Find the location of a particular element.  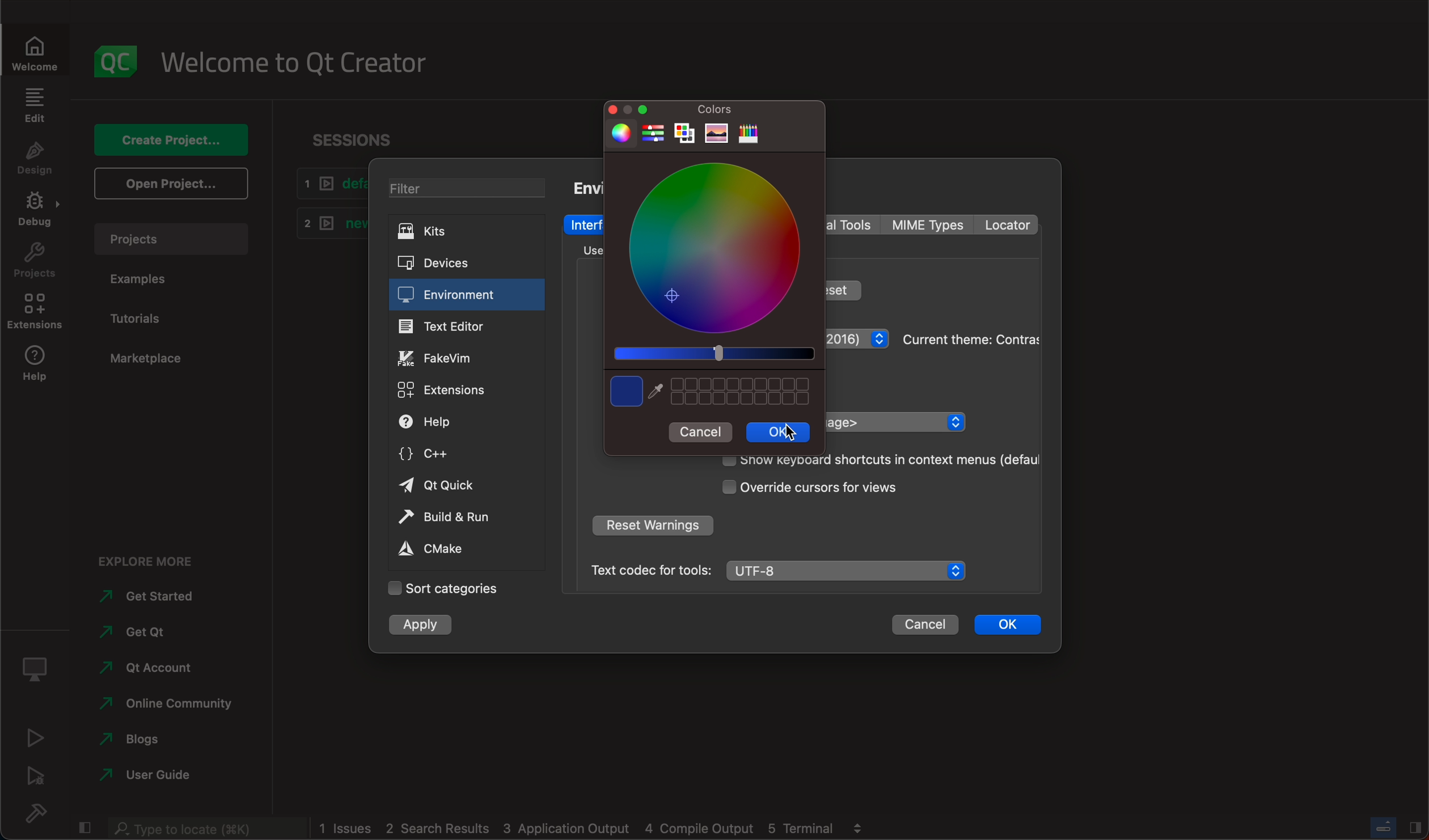

examples is located at coordinates (149, 281).